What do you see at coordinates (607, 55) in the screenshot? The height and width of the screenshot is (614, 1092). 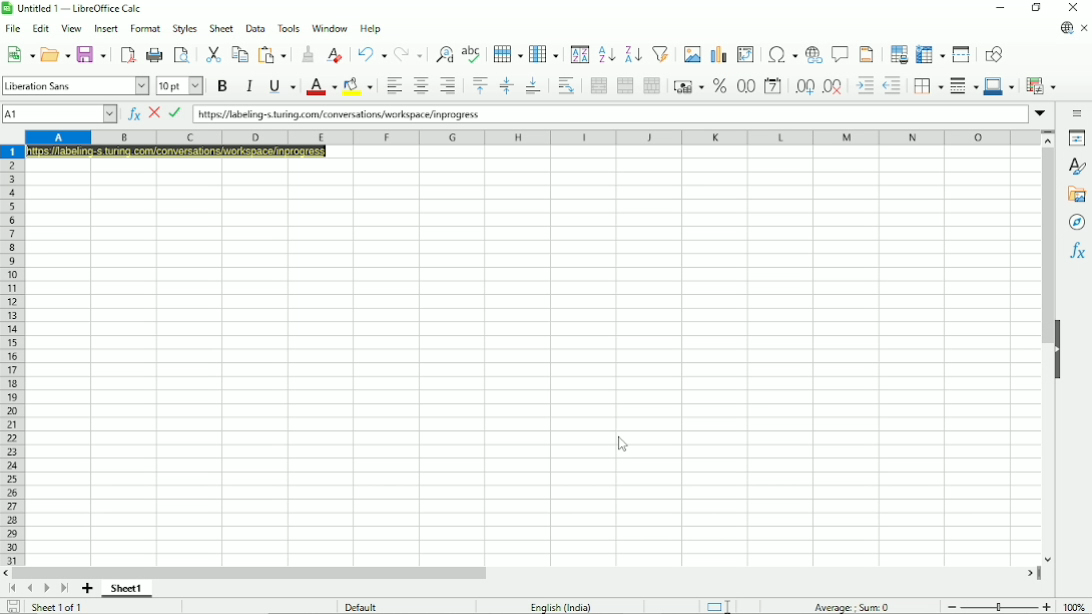 I see `Sort ascending` at bounding box center [607, 55].